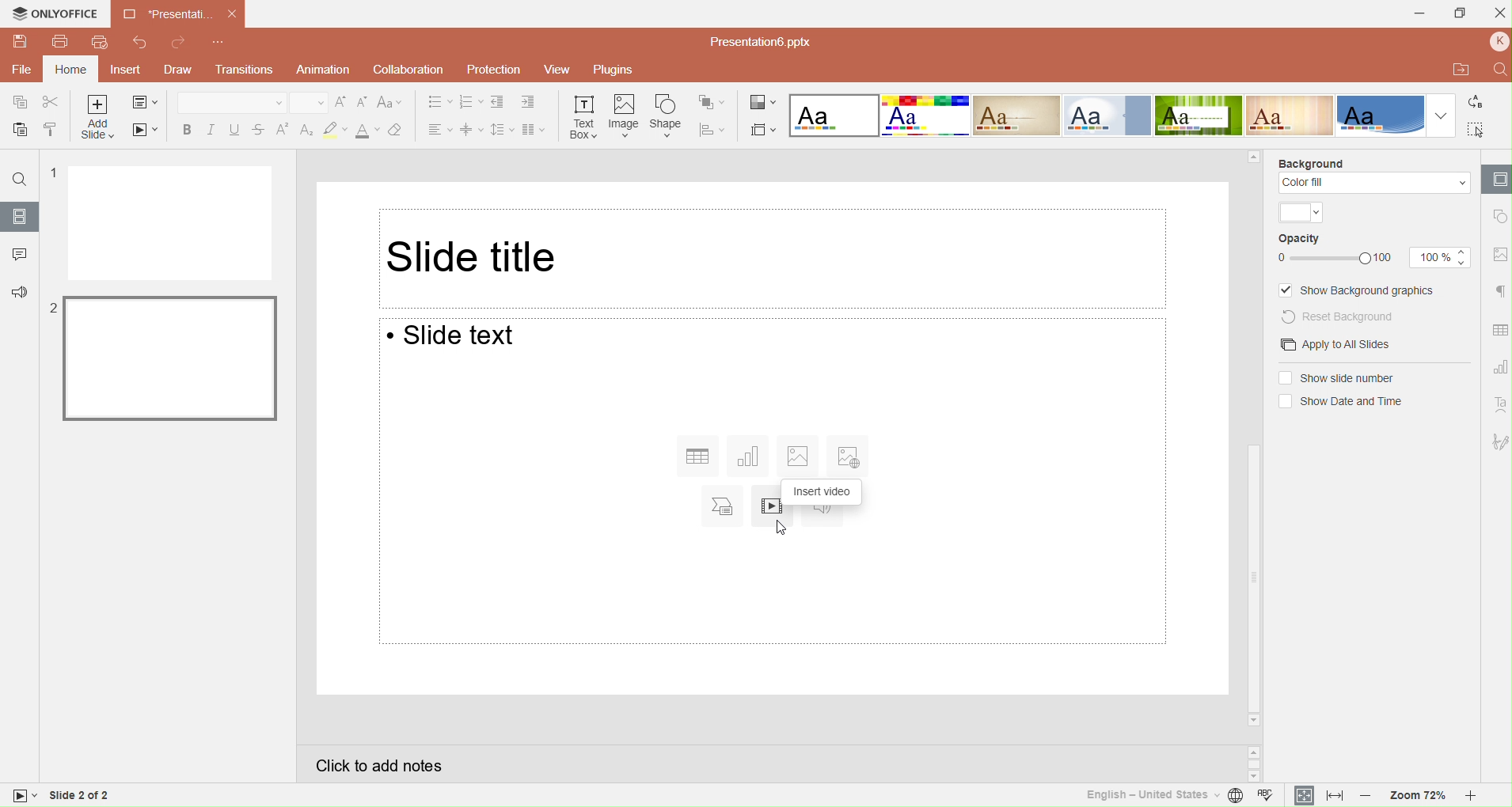  I want to click on Chart setting, so click(1498, 363).